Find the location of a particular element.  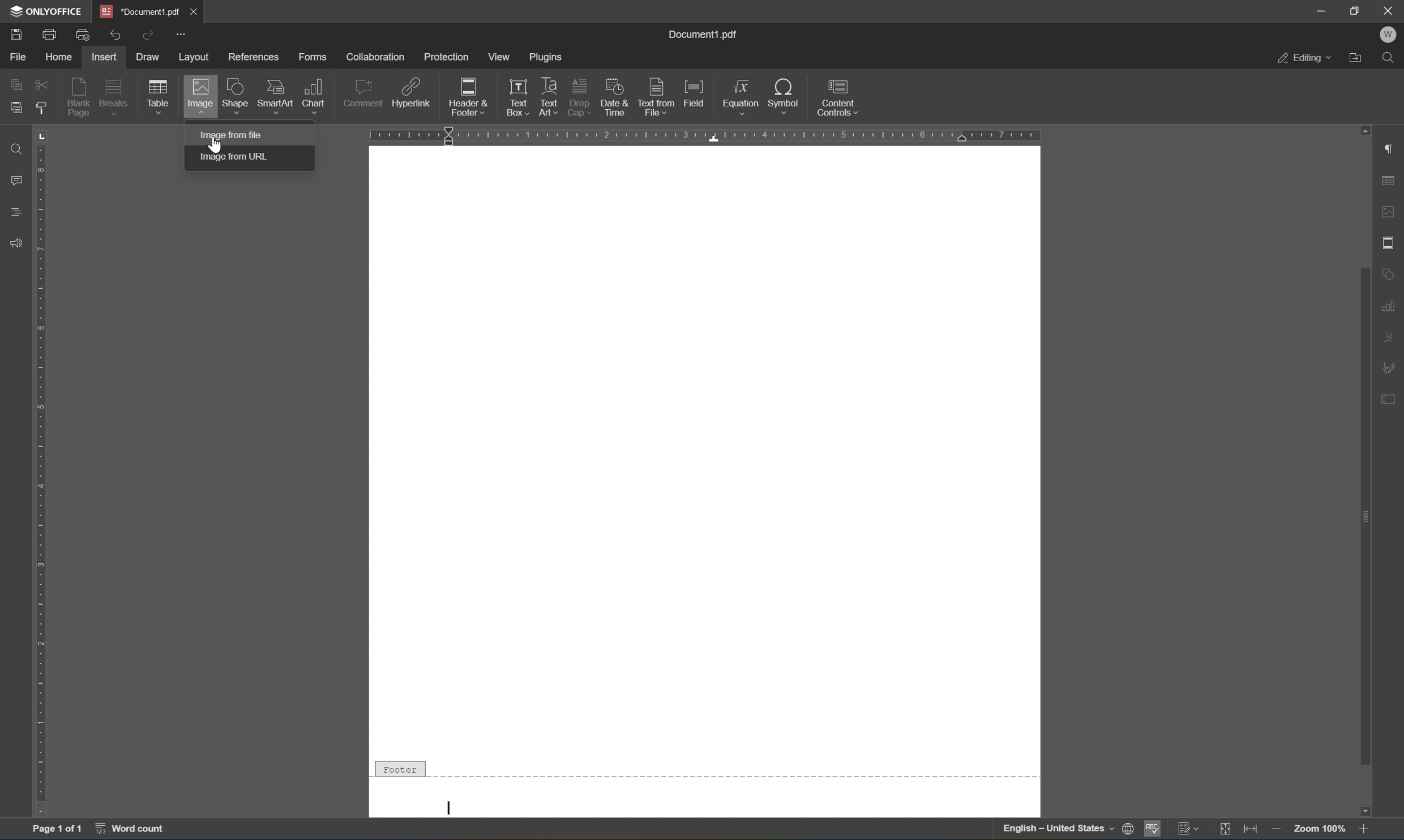

headings is located at coordinates (15, 212).